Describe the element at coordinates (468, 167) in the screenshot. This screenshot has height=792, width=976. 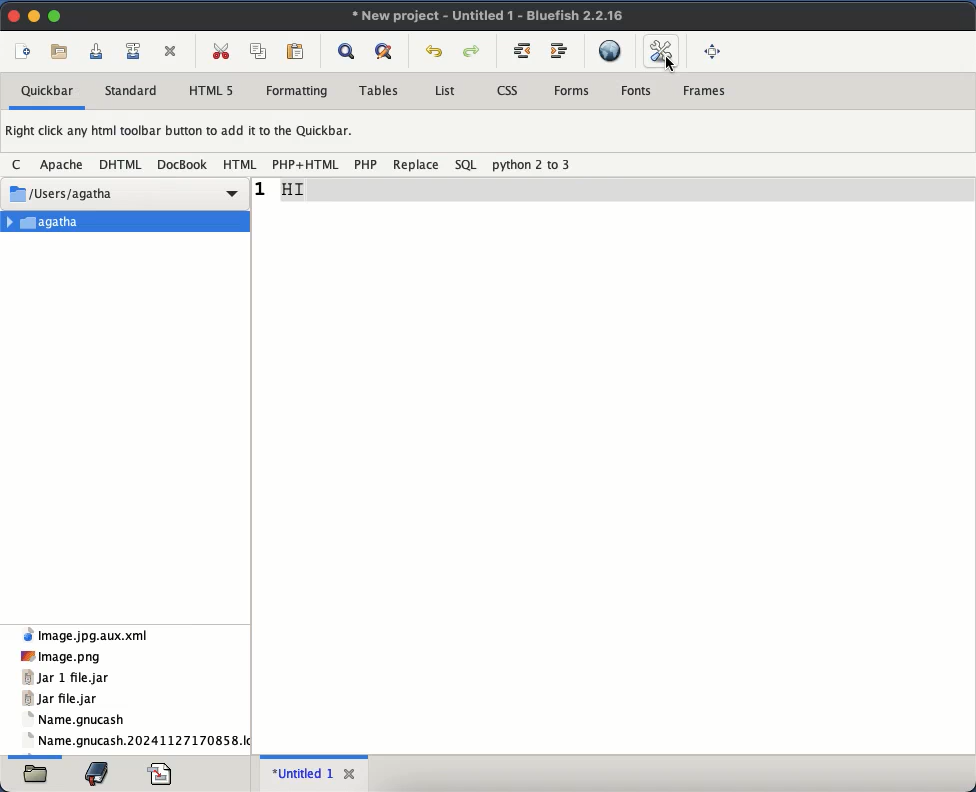
I see `sql` at that location.